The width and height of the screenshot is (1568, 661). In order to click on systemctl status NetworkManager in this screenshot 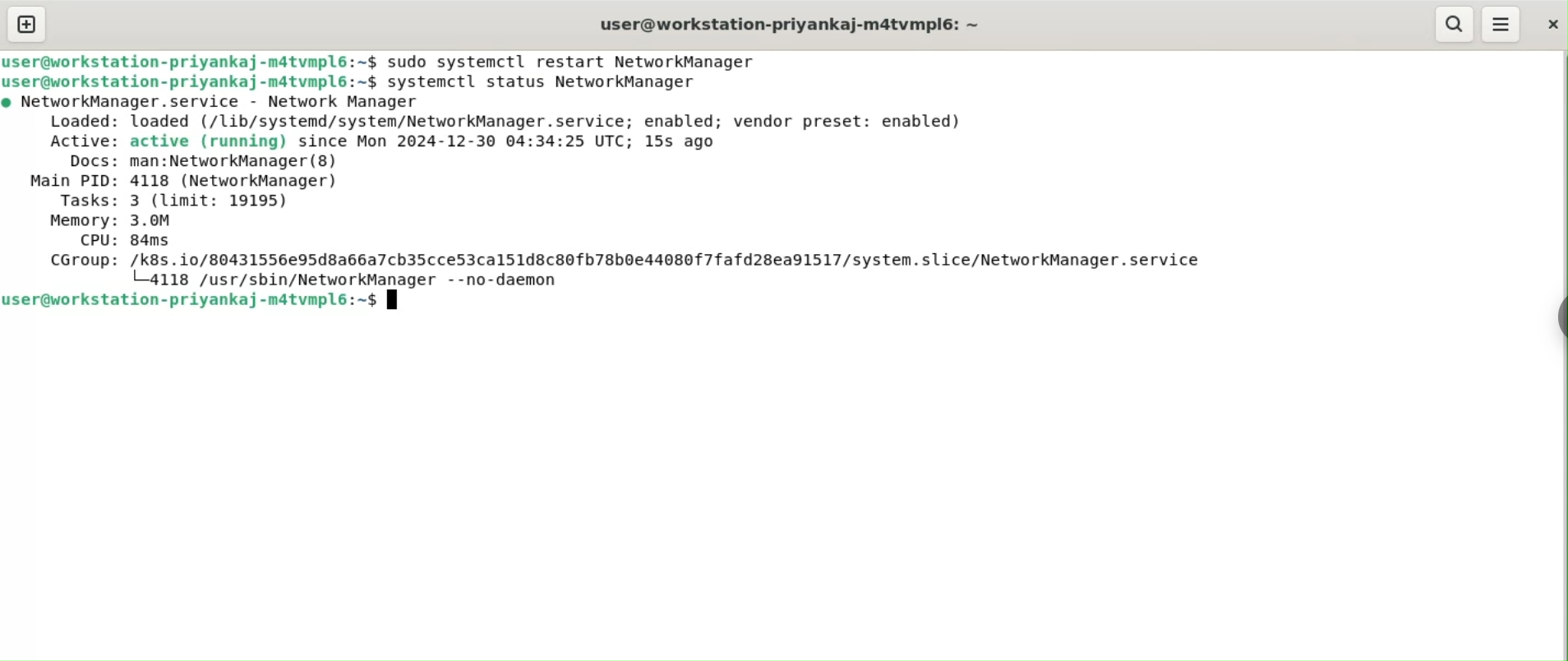, I will do `click(542, 81)`.